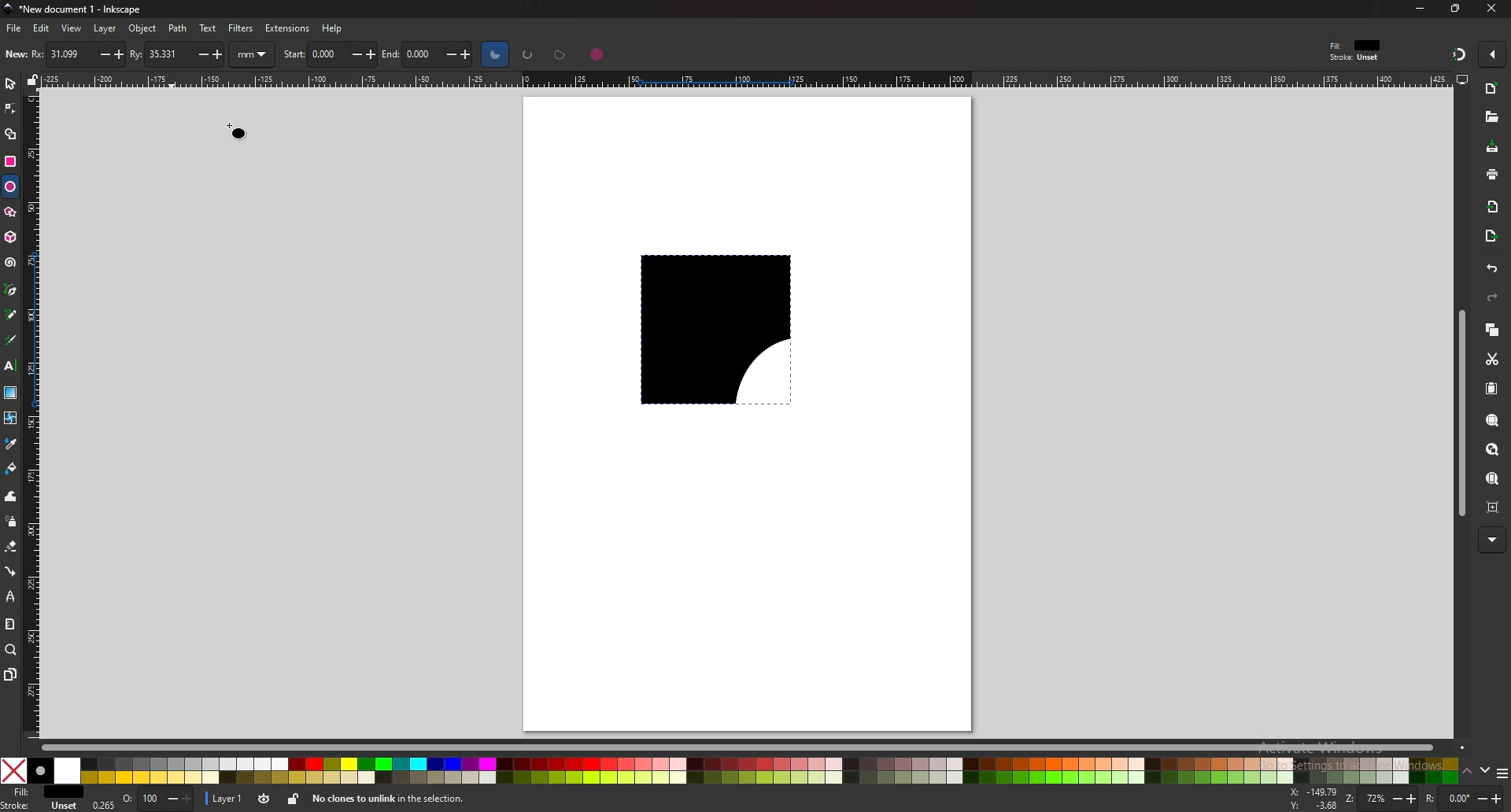 The image size is (1511, 812). I want to click on zoom, so click(1382, 799).